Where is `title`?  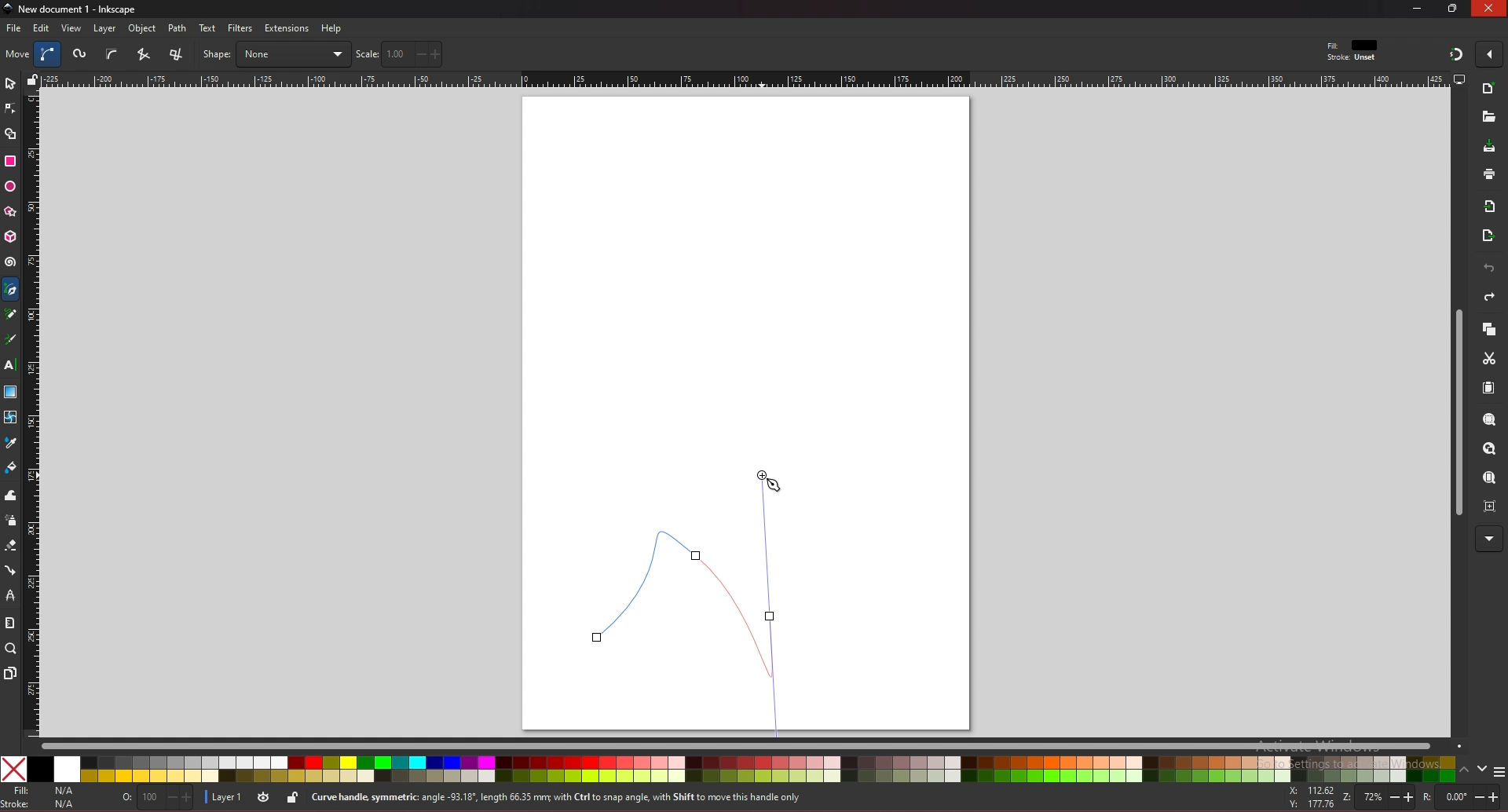 title is located at coordinates (72, 8).